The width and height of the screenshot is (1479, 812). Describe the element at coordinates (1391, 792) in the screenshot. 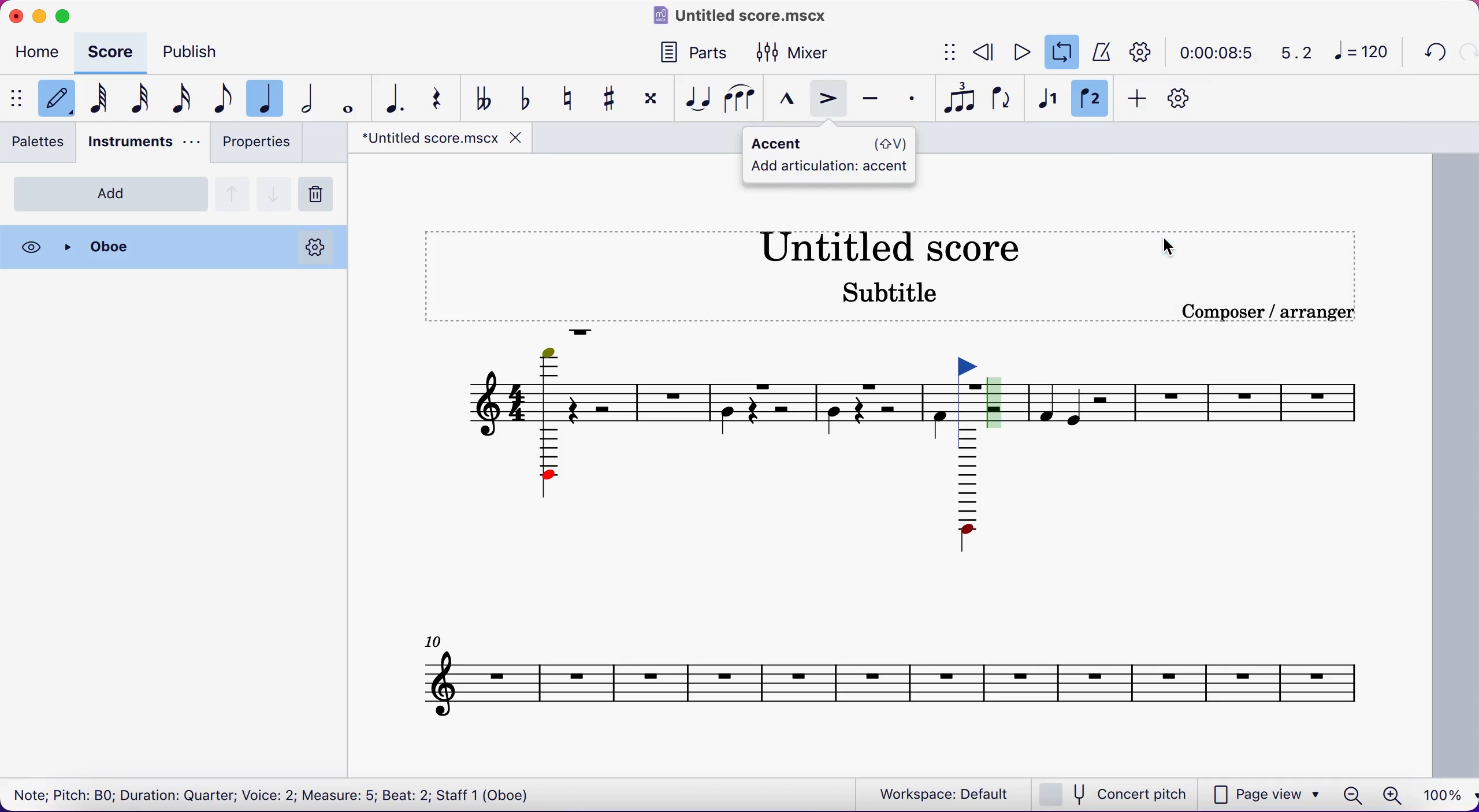

I see `zoom in` at that location.